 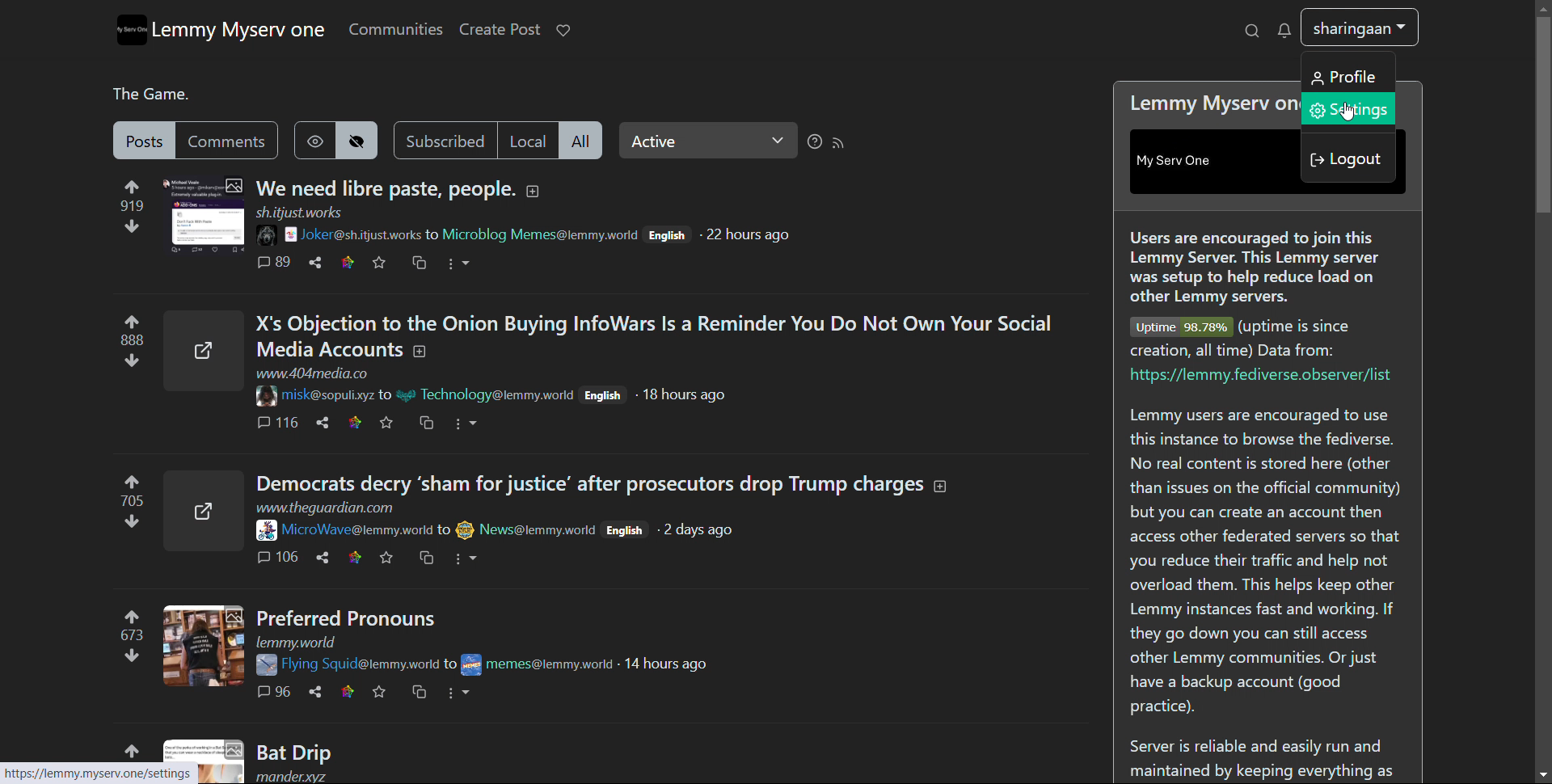 What do you see at coordinates (347, 263) in the screenshot?
I see `link` at bounding box center [347, 263].